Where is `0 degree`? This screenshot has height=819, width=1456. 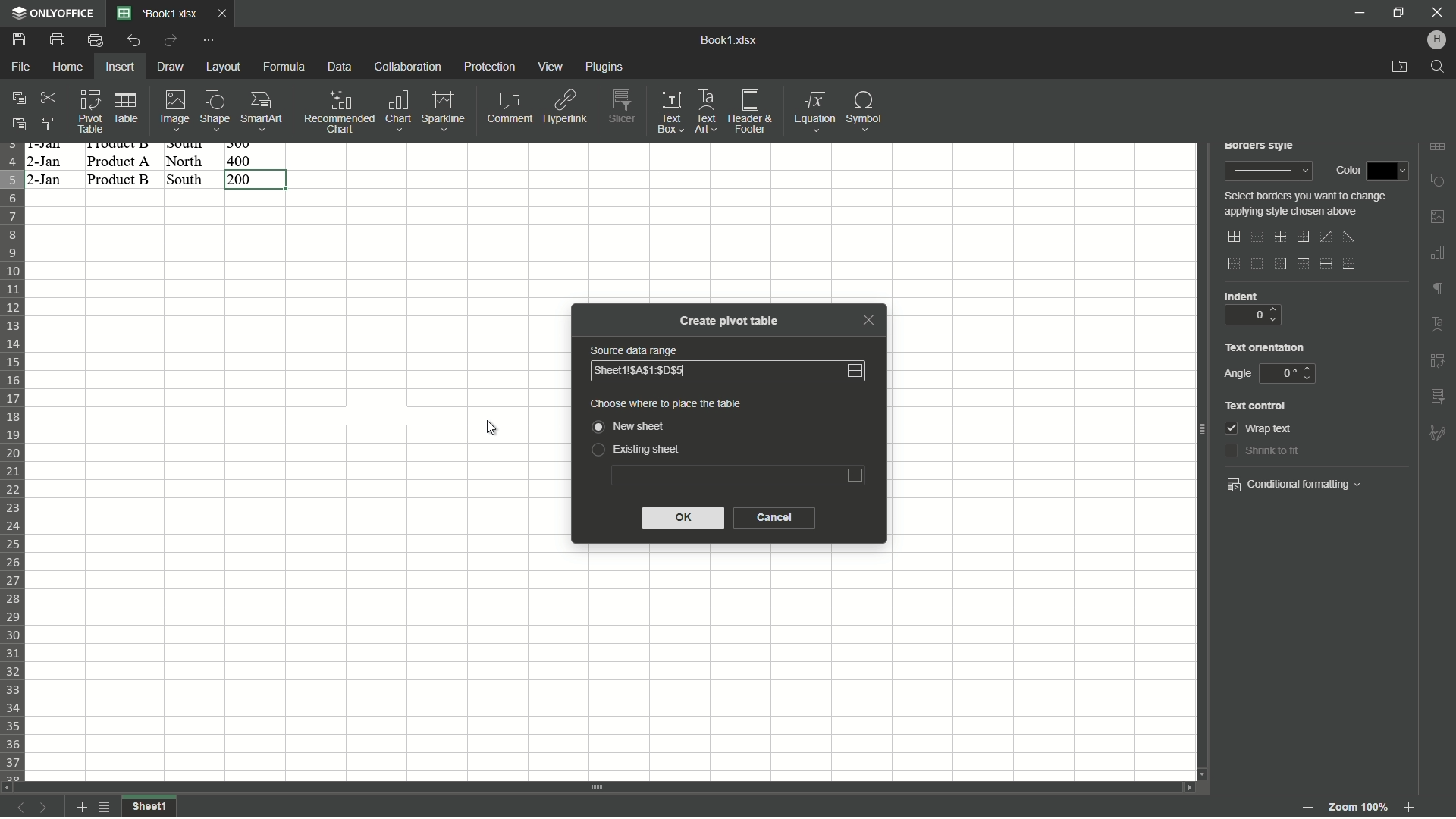 0 degree is located at coordinates (1285, 374).